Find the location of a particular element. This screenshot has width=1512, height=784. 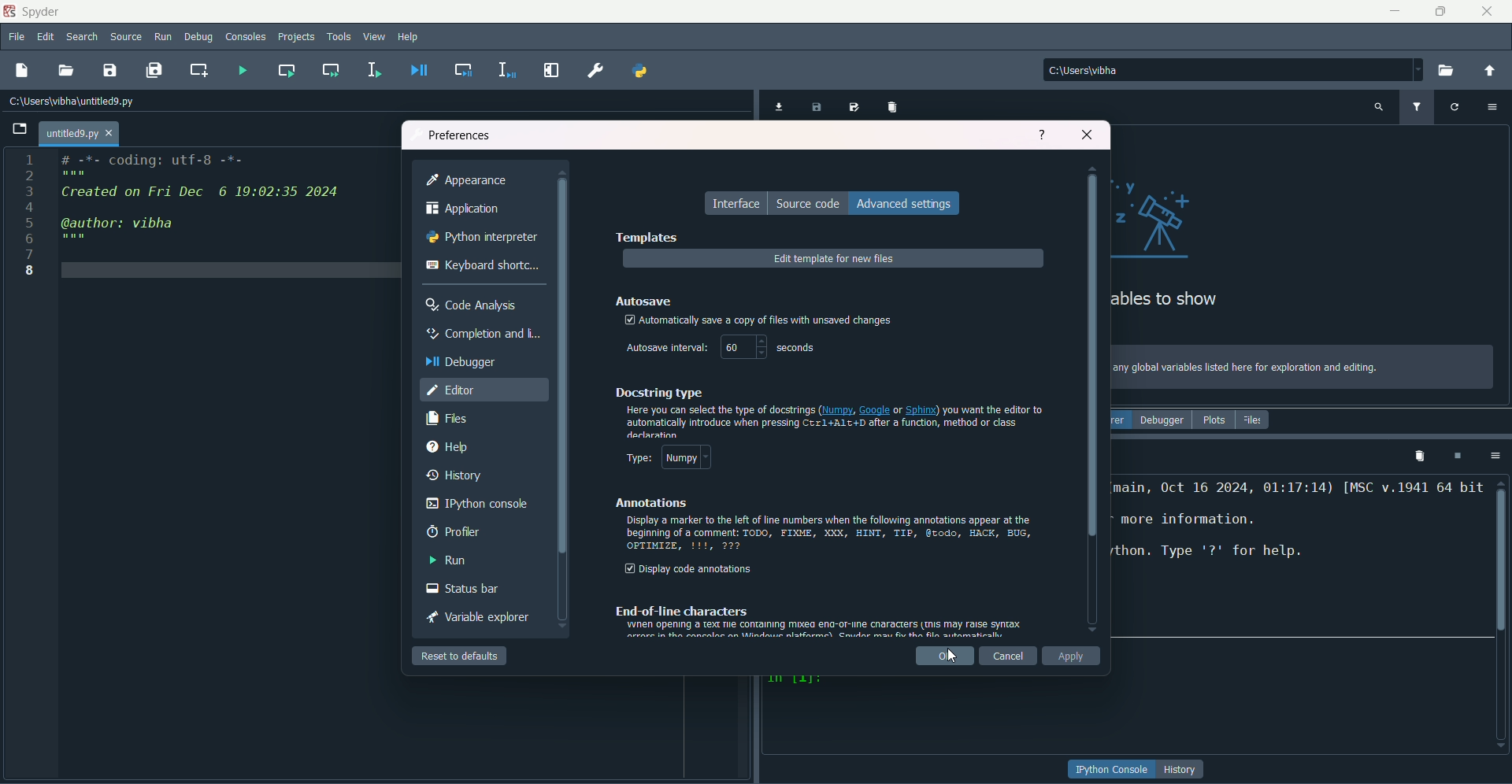

debug is located at coordinates (199, 38).